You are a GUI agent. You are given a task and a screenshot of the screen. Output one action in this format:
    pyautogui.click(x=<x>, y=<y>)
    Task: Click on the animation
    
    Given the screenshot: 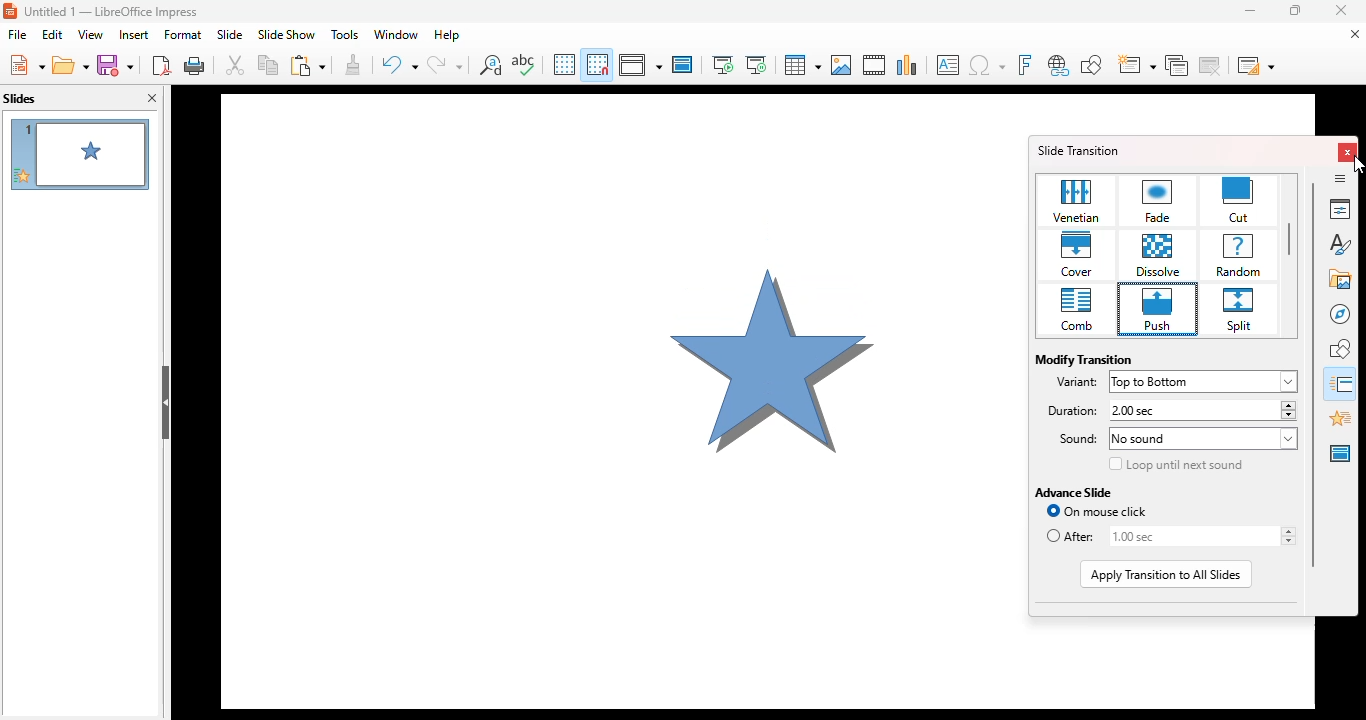 What is the action you would take?
    pyautogui.click(x=1342, y=418)
    